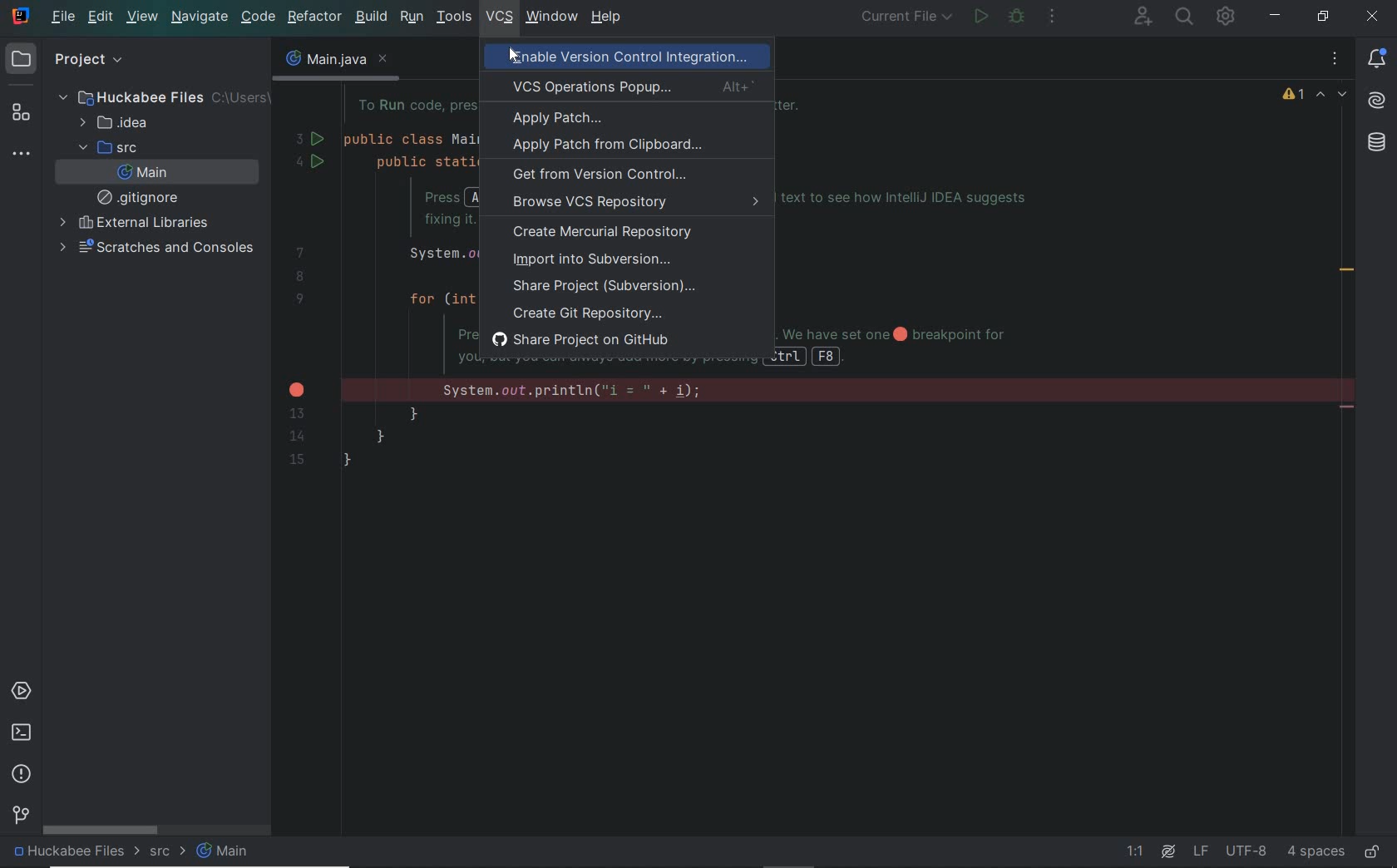 This screenshot has width=1397, height=868. Describe the element at coordinates (612, 287) in the screenshot. I see `share project (subversion)` at that location.